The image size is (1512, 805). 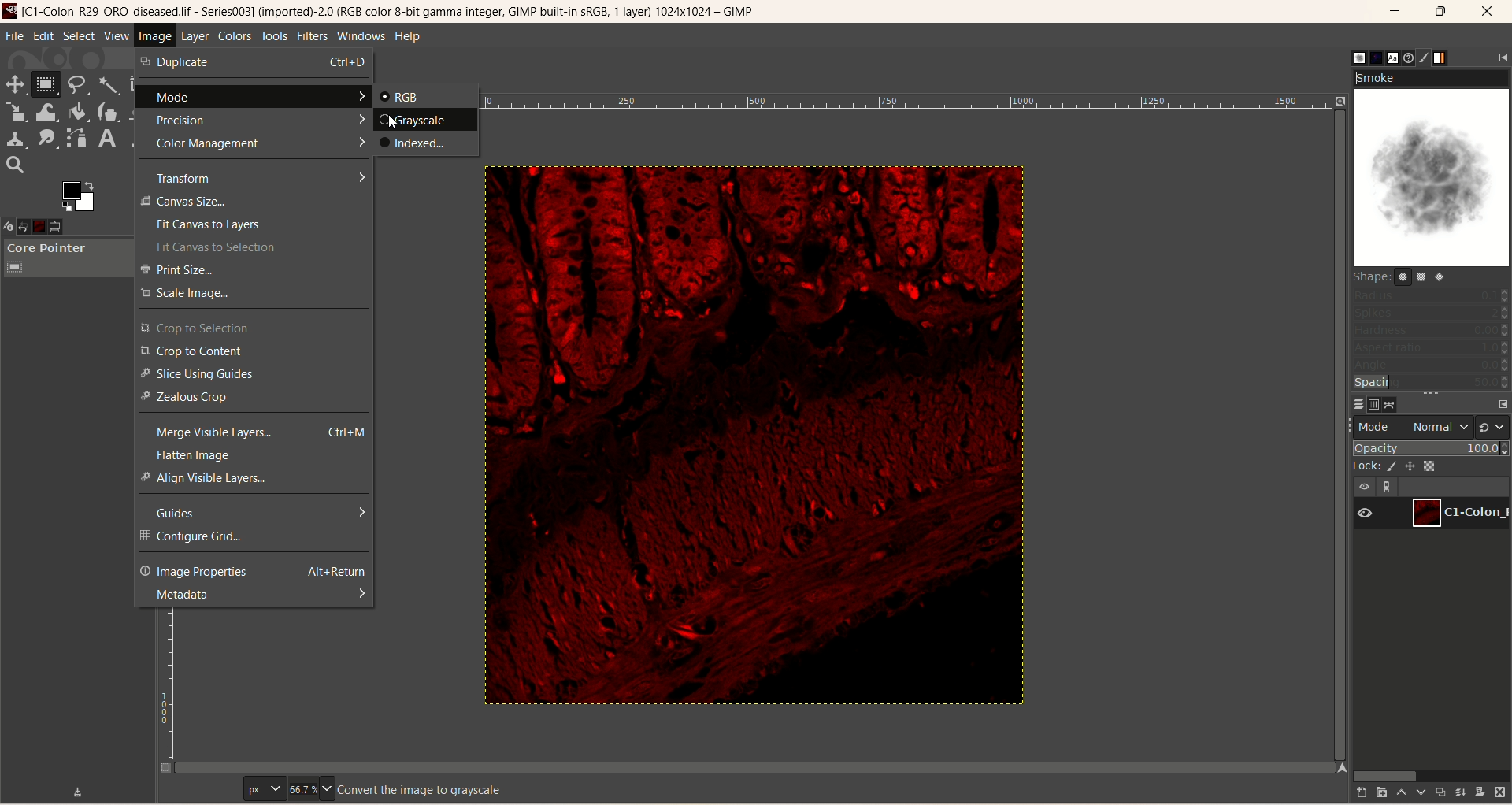 I want to click on free select tool, so click(x=78, y=84).